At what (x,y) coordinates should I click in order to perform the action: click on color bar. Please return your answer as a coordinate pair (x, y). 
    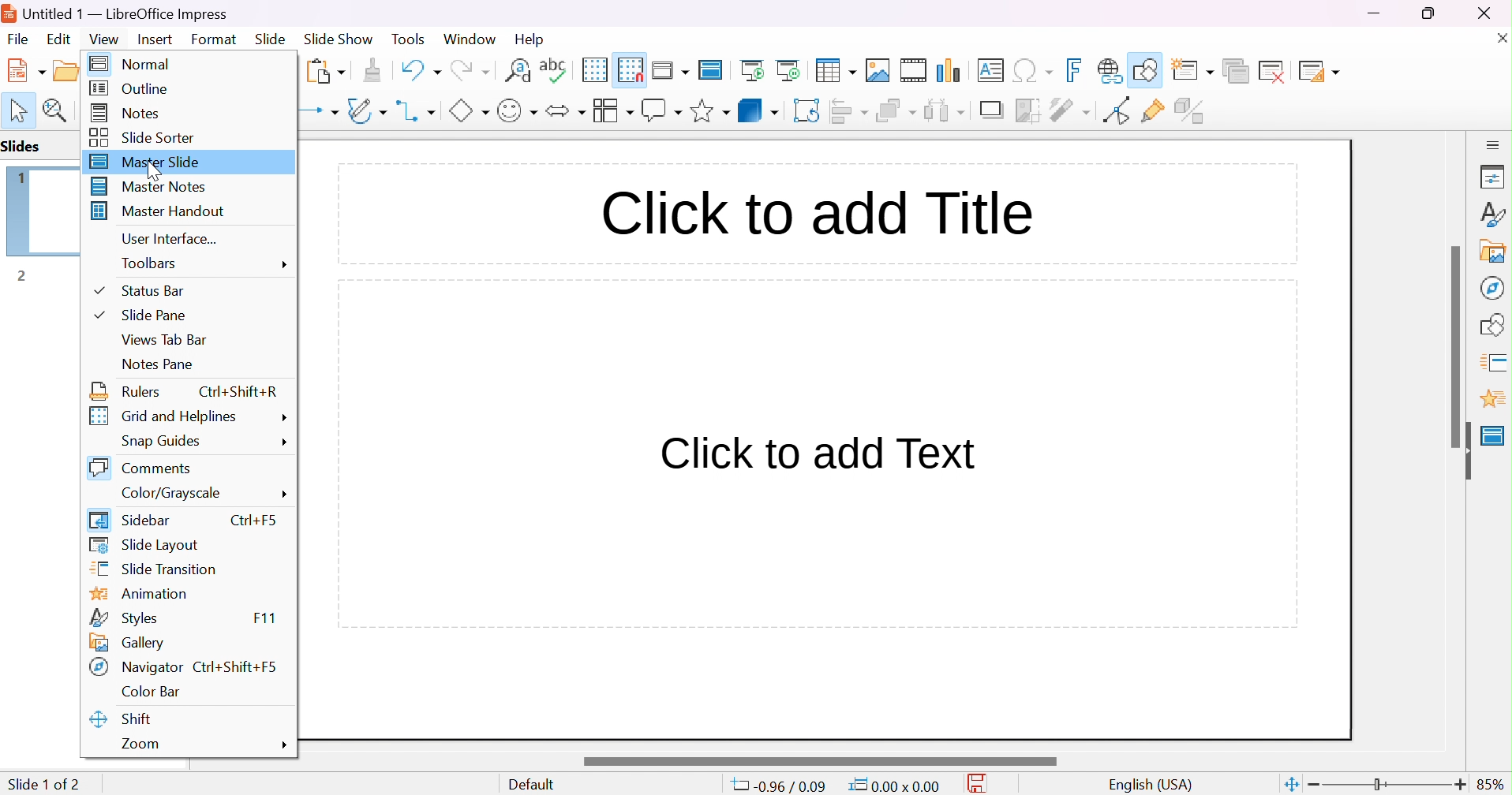
    Looking at the image, I should click on (149, 692).